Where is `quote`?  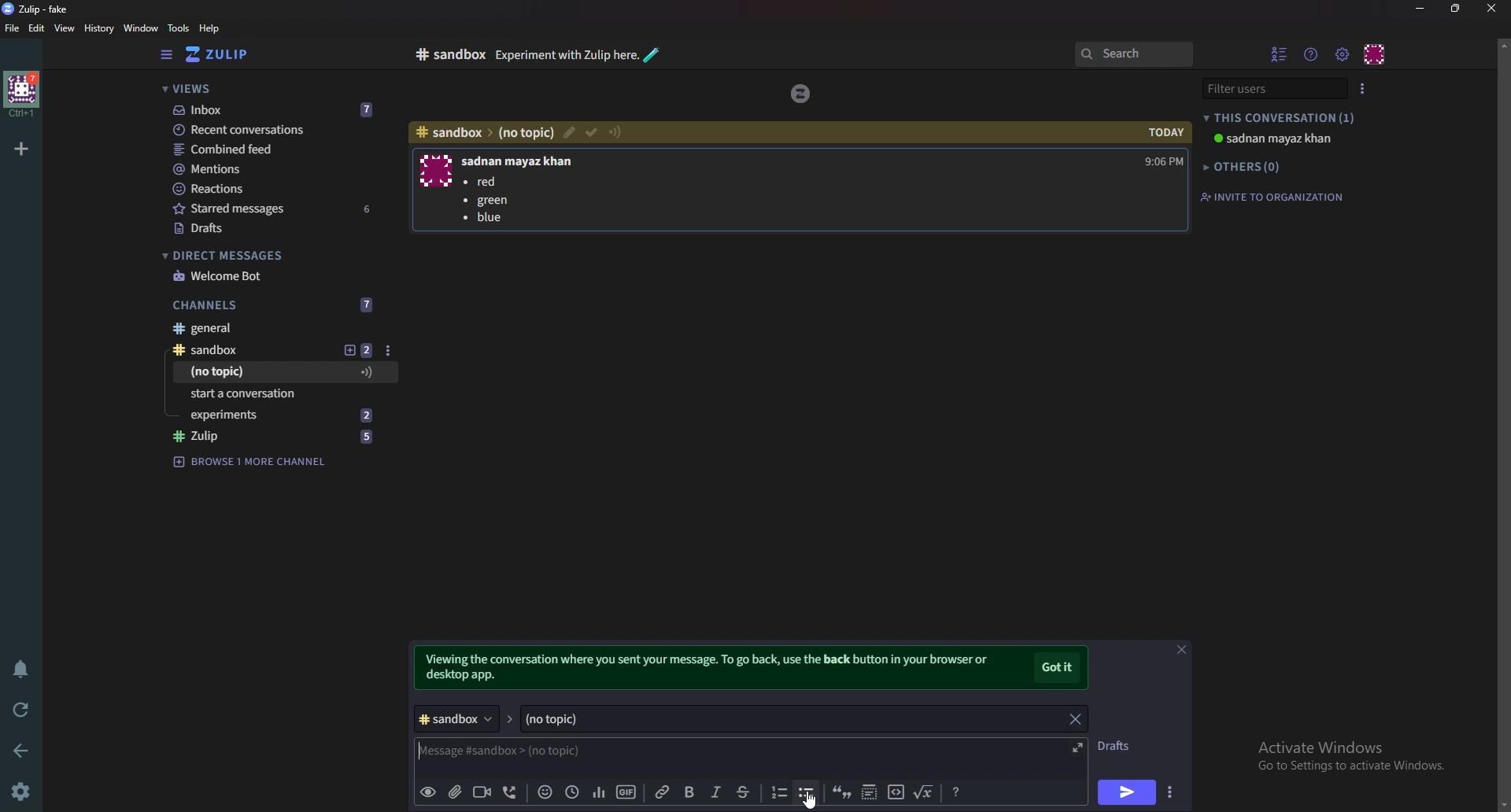 quote is located at coordinates (840, 791).